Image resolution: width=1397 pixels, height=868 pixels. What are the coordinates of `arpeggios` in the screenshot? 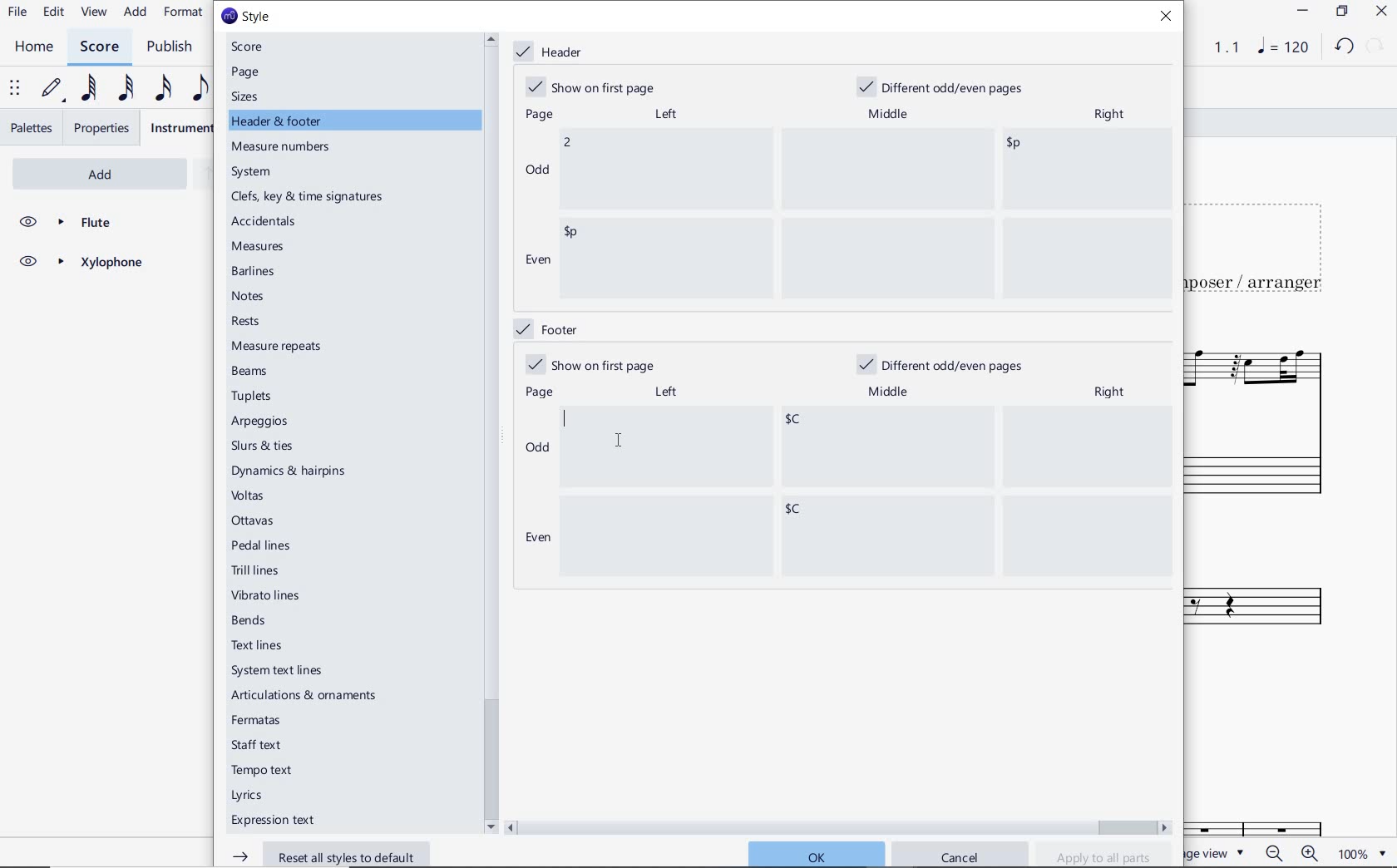 It's located at (260, 422).